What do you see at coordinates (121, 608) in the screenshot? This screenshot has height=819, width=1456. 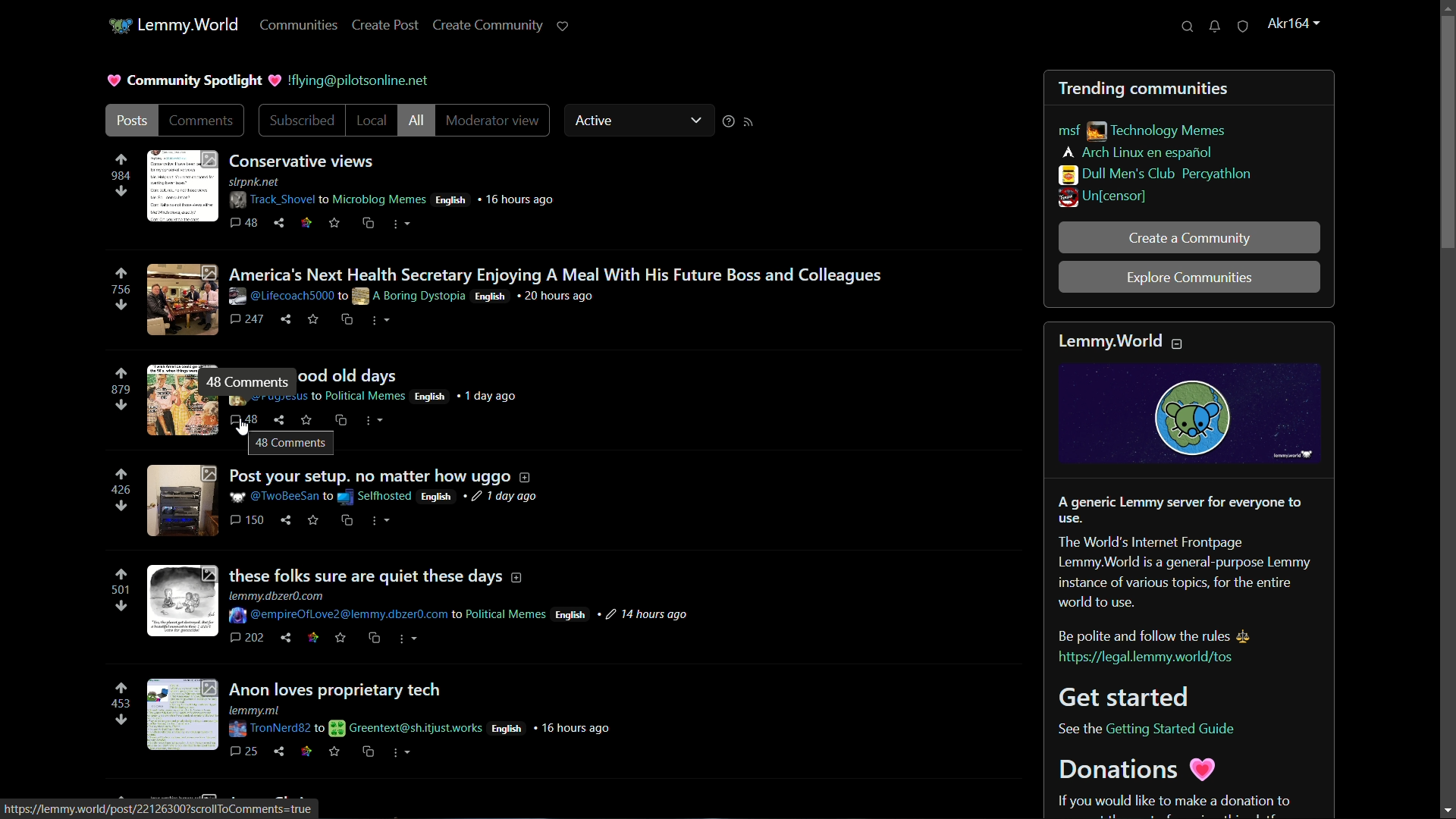 I see `downvote` at bounding box center [121, 608].